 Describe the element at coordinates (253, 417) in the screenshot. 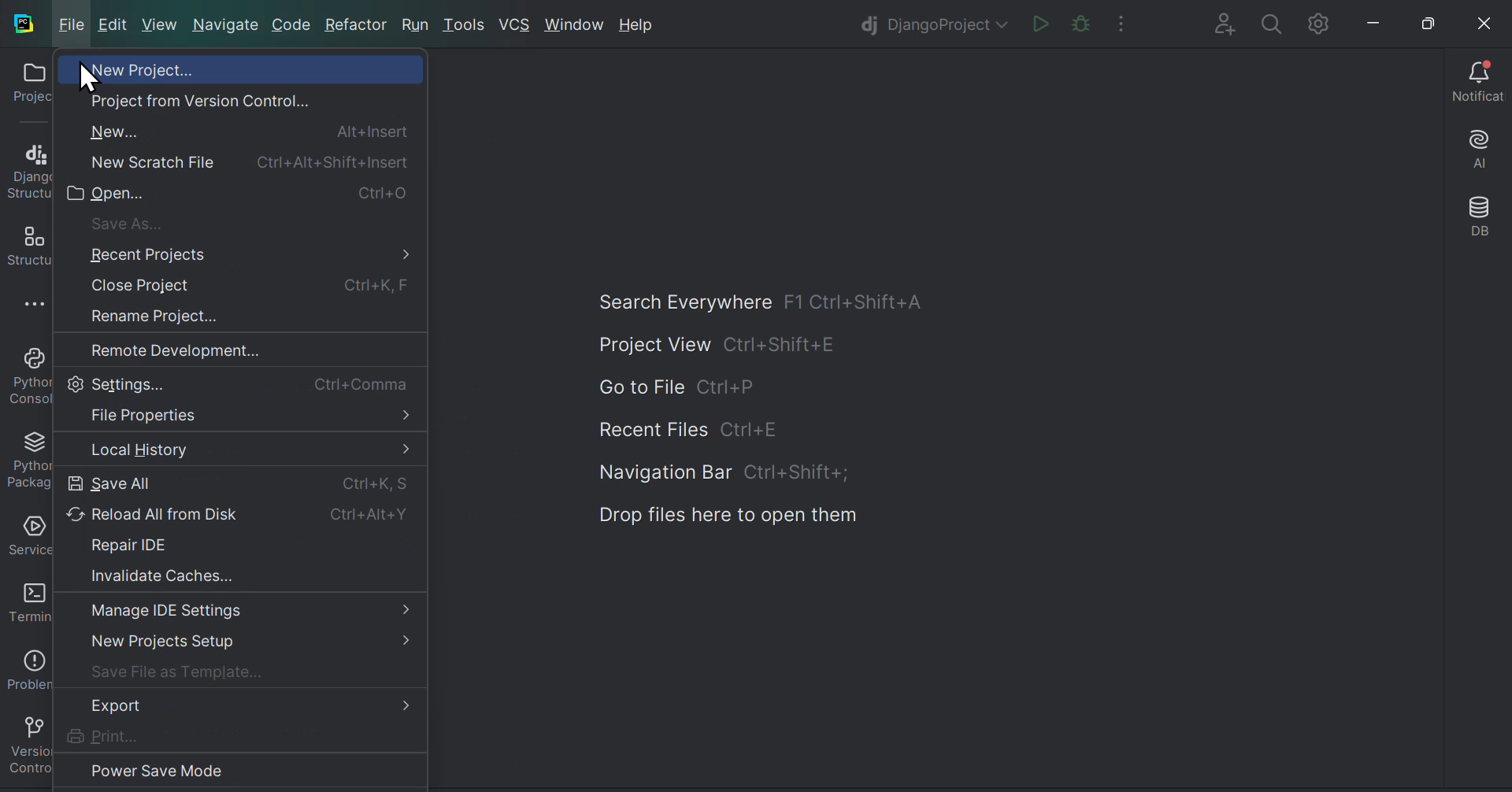

I see ` file properties` at that location.